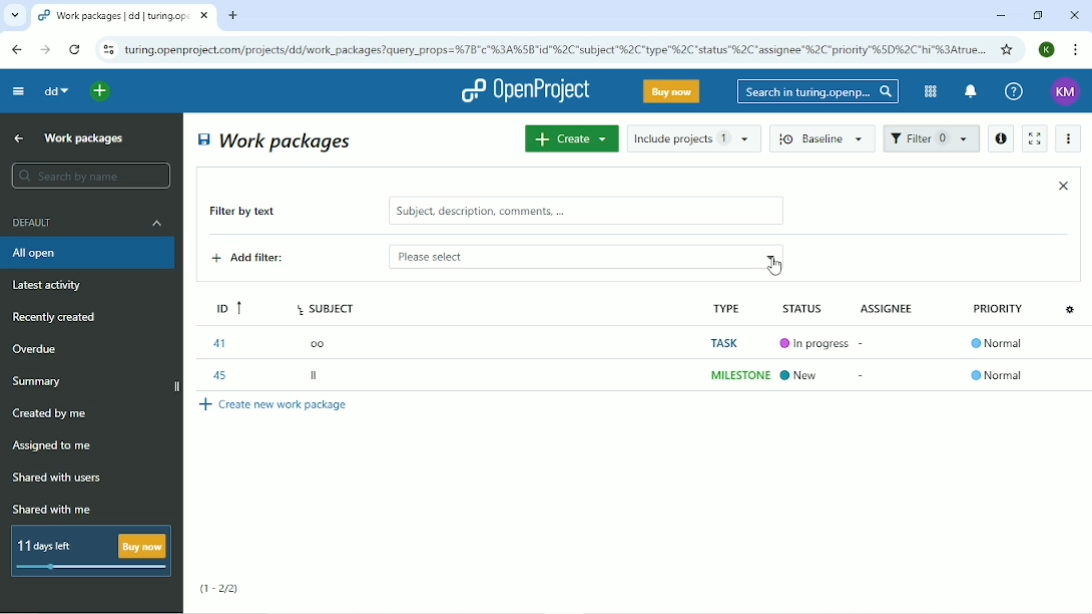 Image resolution: width=1092 pixels, height=614 pixels. What do you see at coordinates (1007, 49) in the screenshot?
I see `Bookmark this tab` at bounding box center [1007, 49].